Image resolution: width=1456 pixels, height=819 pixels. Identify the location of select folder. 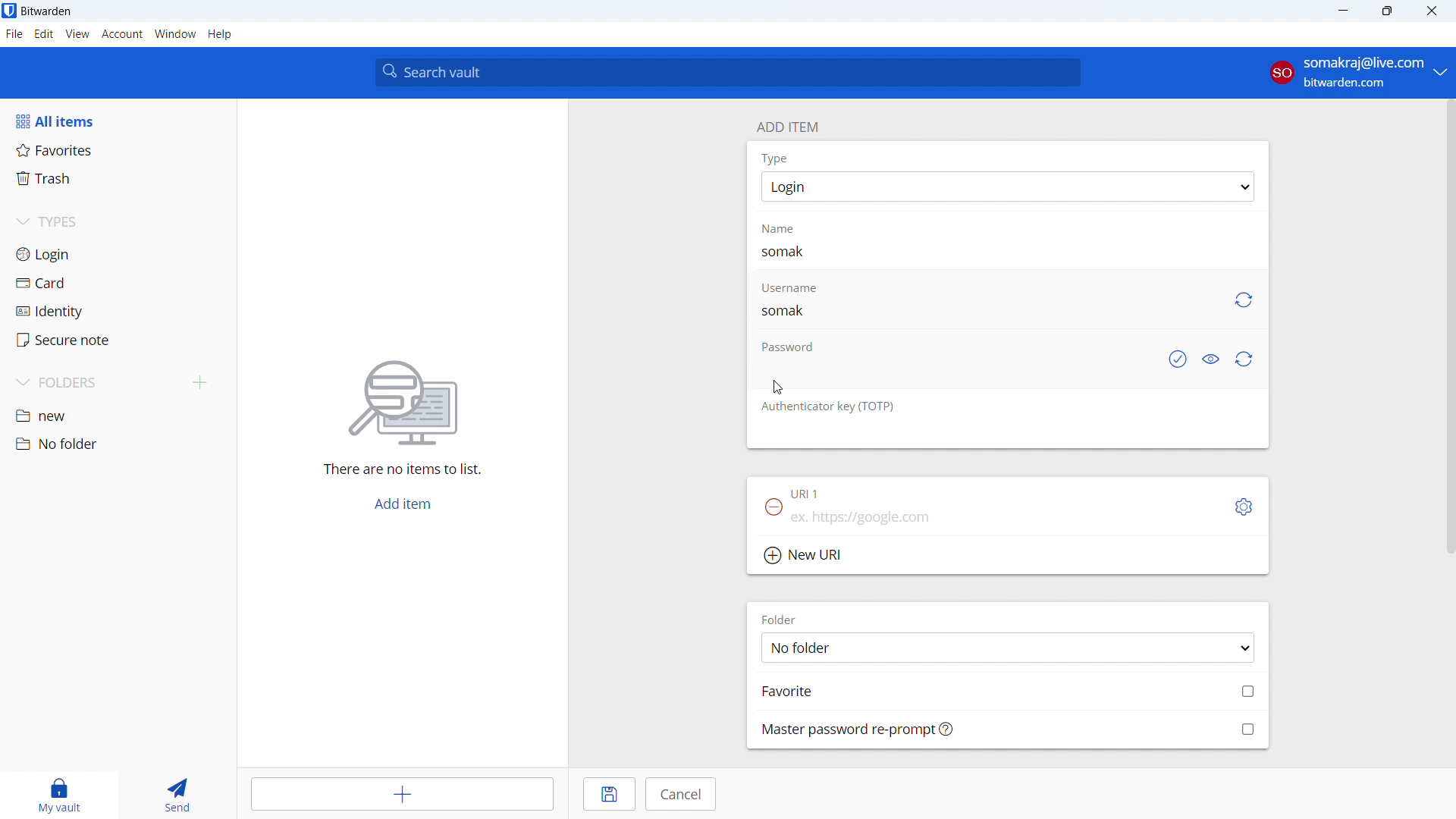
(1007, 647).